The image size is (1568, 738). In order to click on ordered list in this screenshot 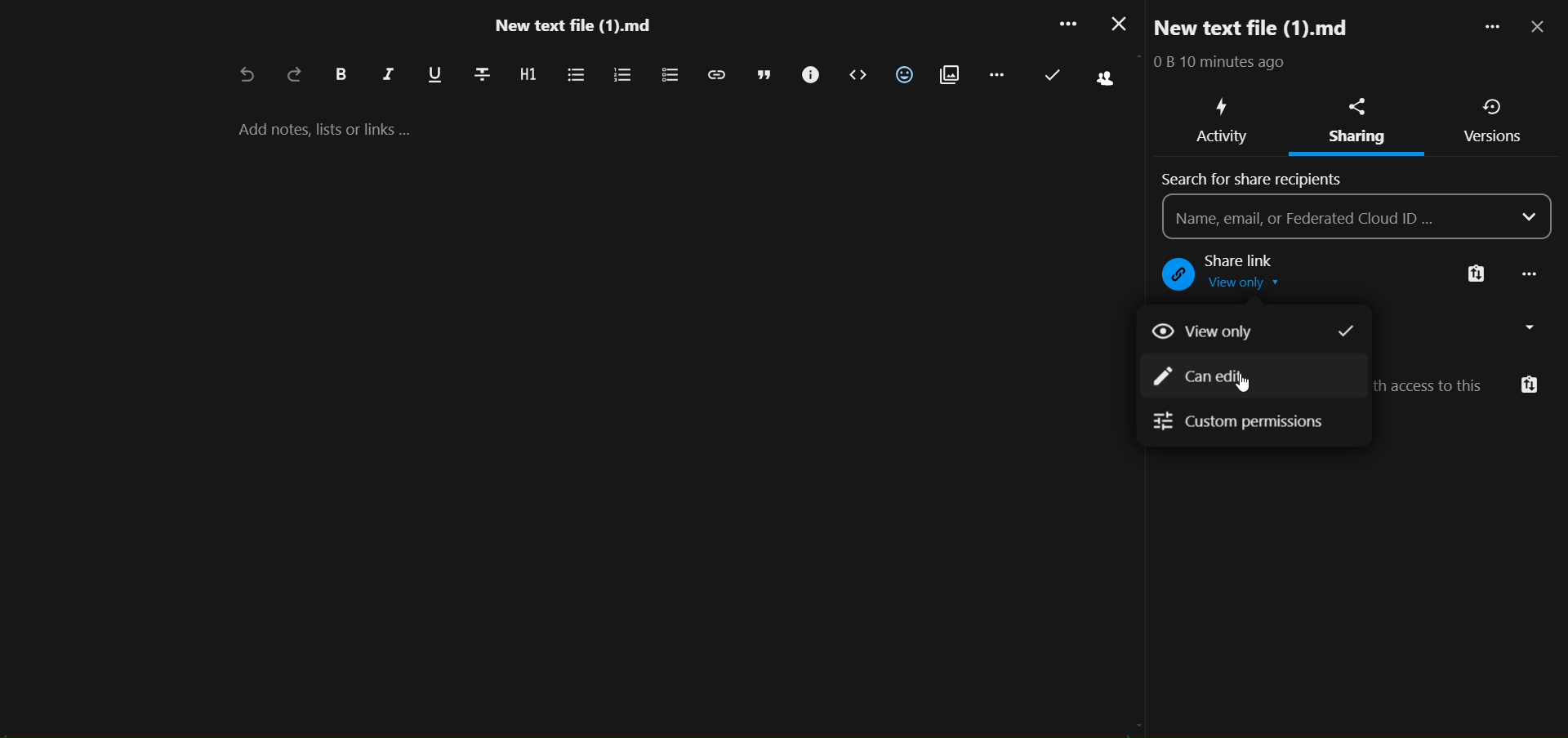, I will do `click(621, 76)`.